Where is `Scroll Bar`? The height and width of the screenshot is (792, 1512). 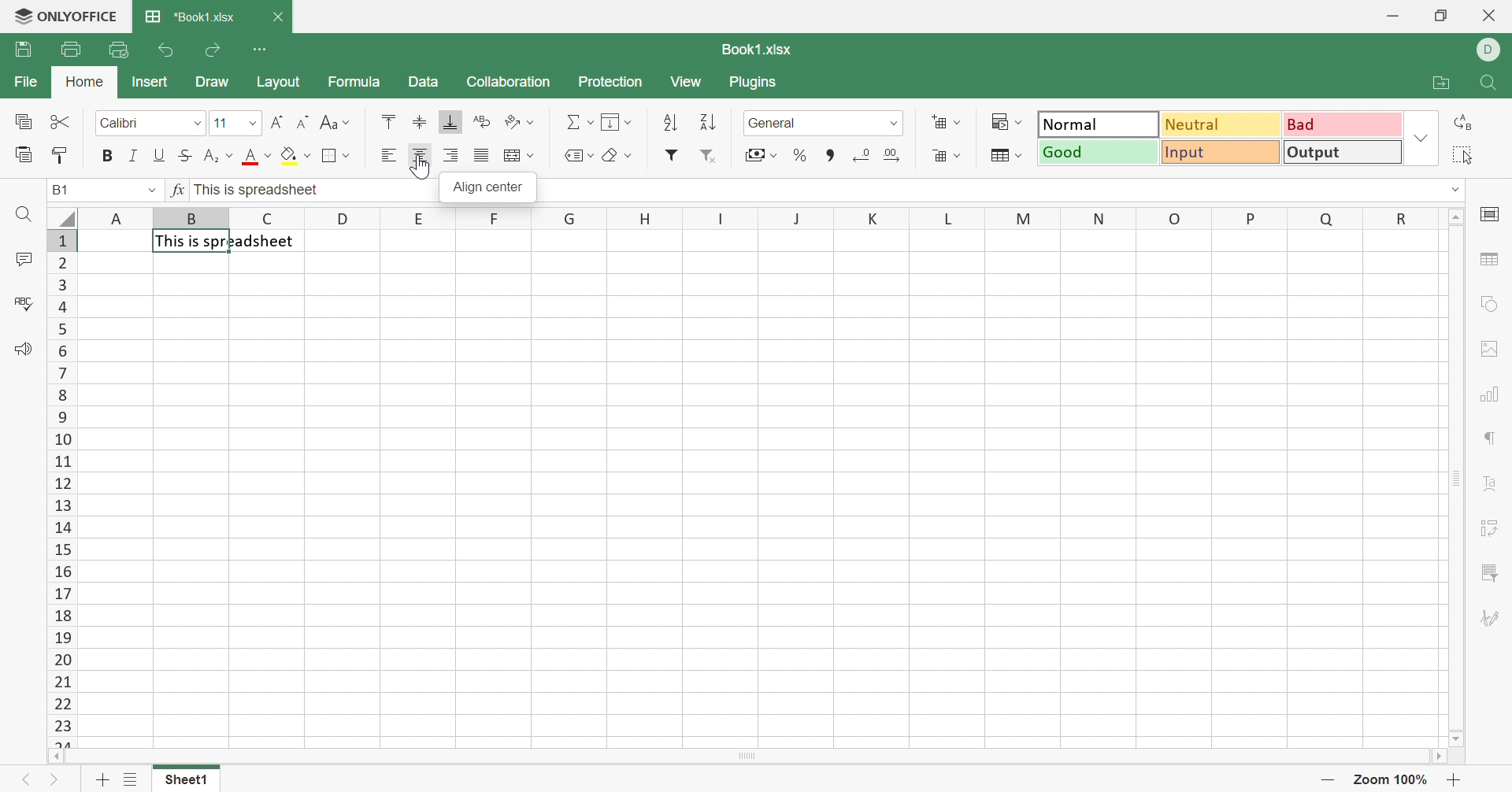
Scroll Bar is located at coordinates (1455, 476).